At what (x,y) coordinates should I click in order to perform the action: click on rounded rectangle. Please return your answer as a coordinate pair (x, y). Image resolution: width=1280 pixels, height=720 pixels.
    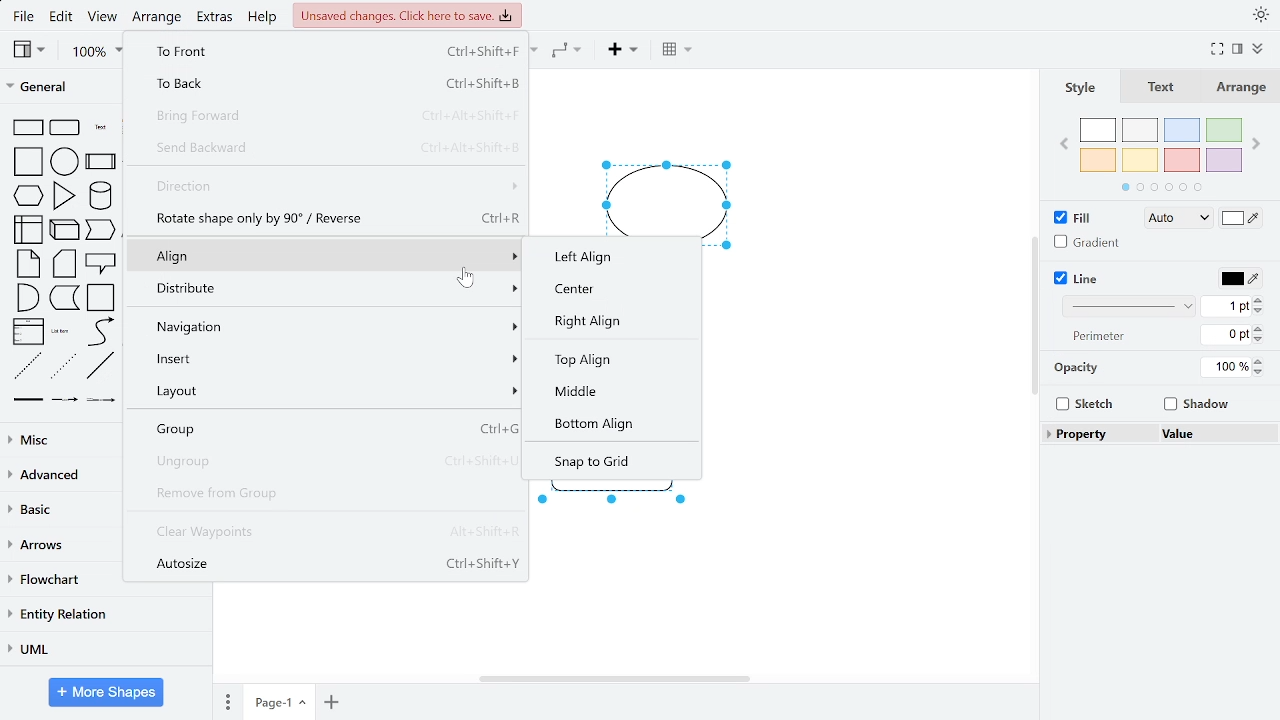
    Looking at the image, I should click on (66, 127).